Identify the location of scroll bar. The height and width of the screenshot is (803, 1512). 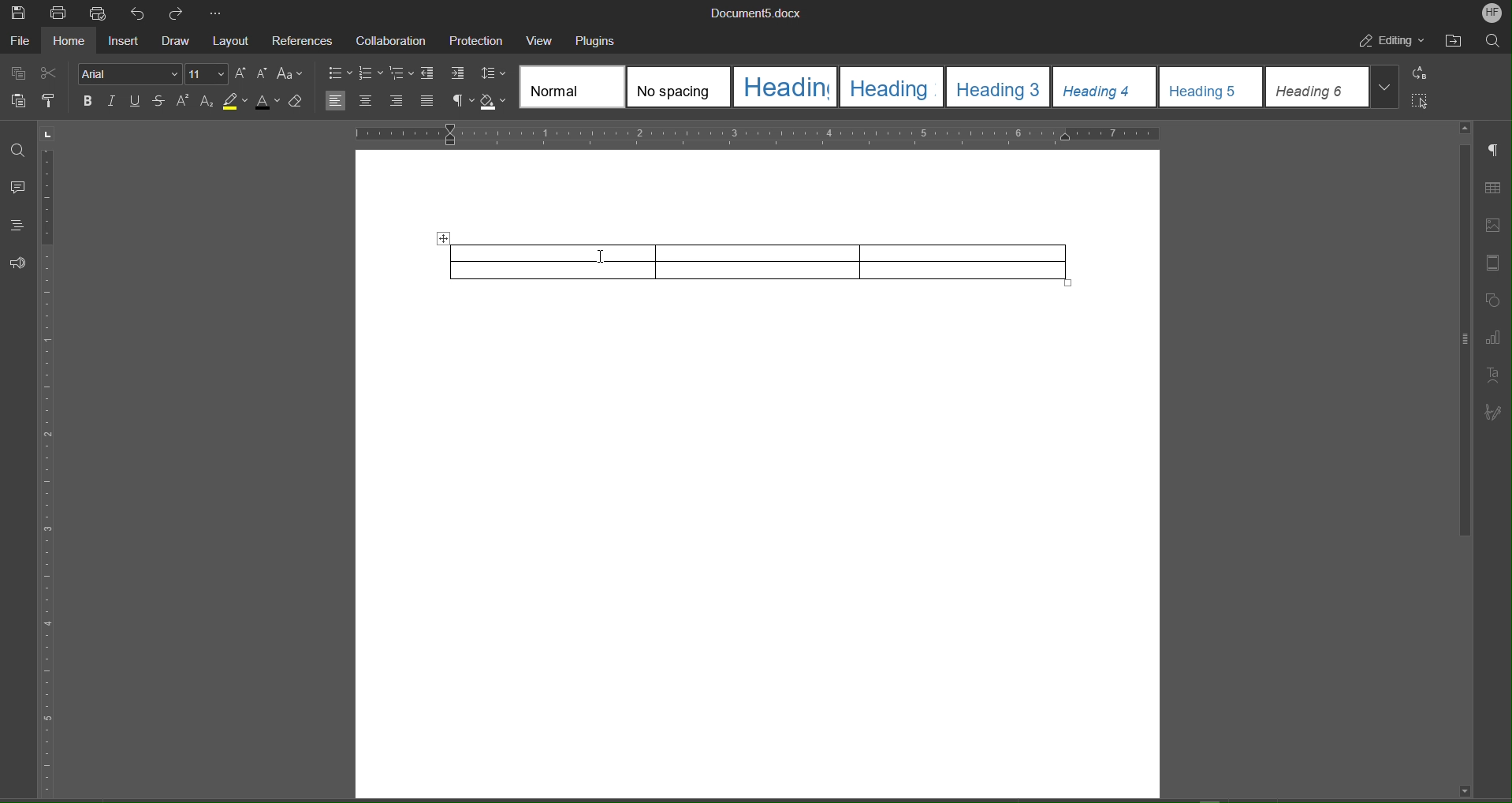
(1462, 342).